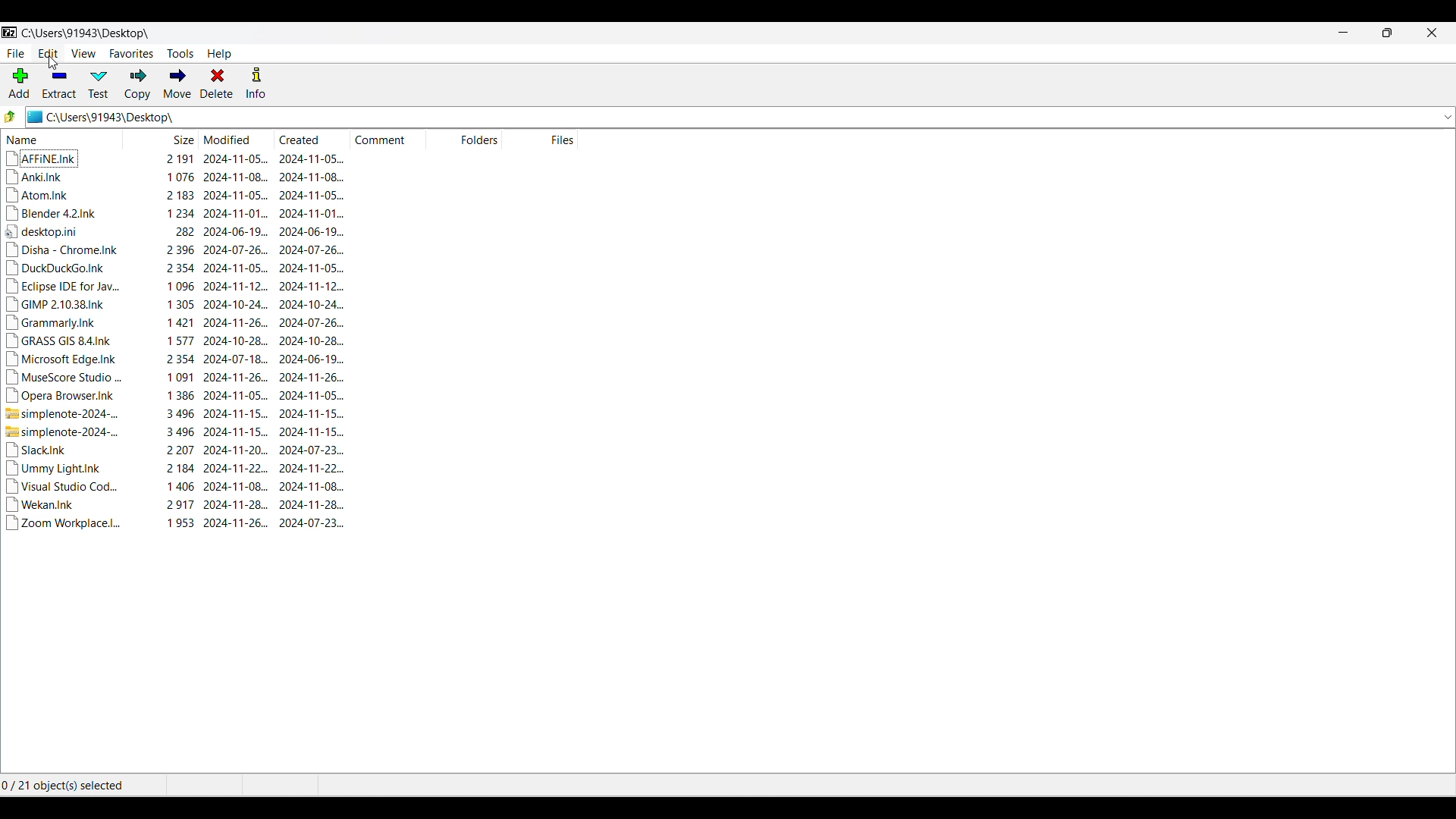  Describe the element at coordinates (730, 118) in the screenshot. I see `Folder location and logo` at that location.